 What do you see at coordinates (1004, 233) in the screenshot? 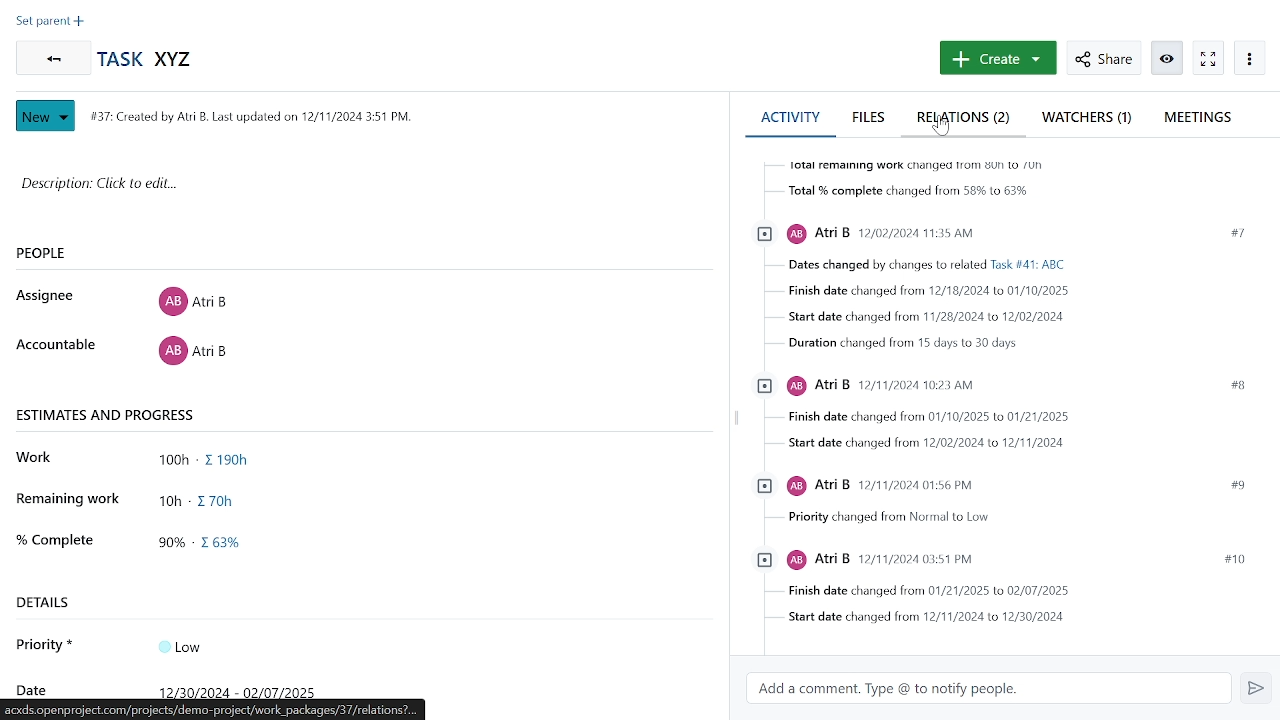
I see `User info: Atri B 12/02/2024 11:35 AM  #7` at bounding box center [1004, 233].